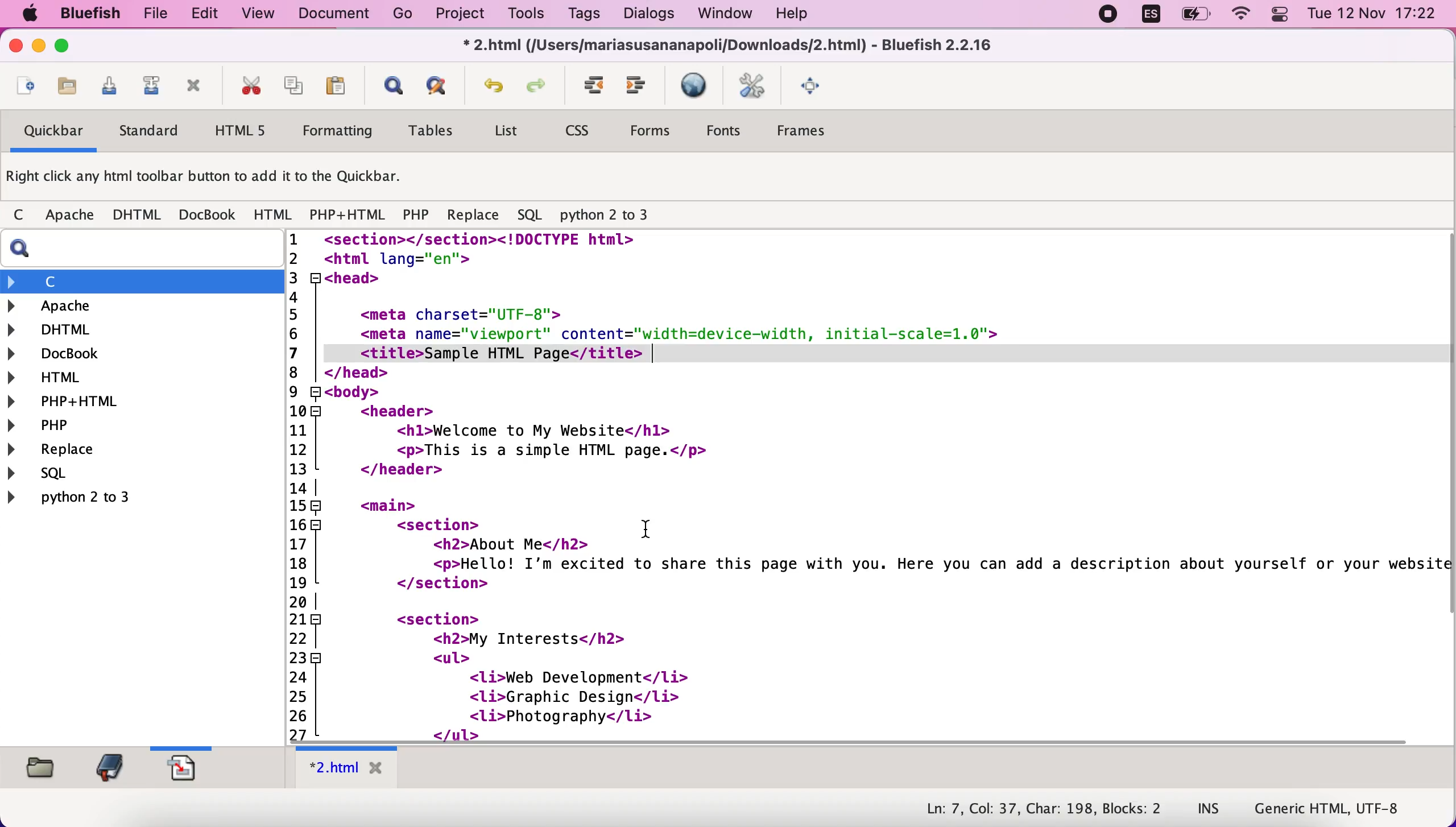 The image size is (1456, 827). I want to click on close current file, so click(198, 86).